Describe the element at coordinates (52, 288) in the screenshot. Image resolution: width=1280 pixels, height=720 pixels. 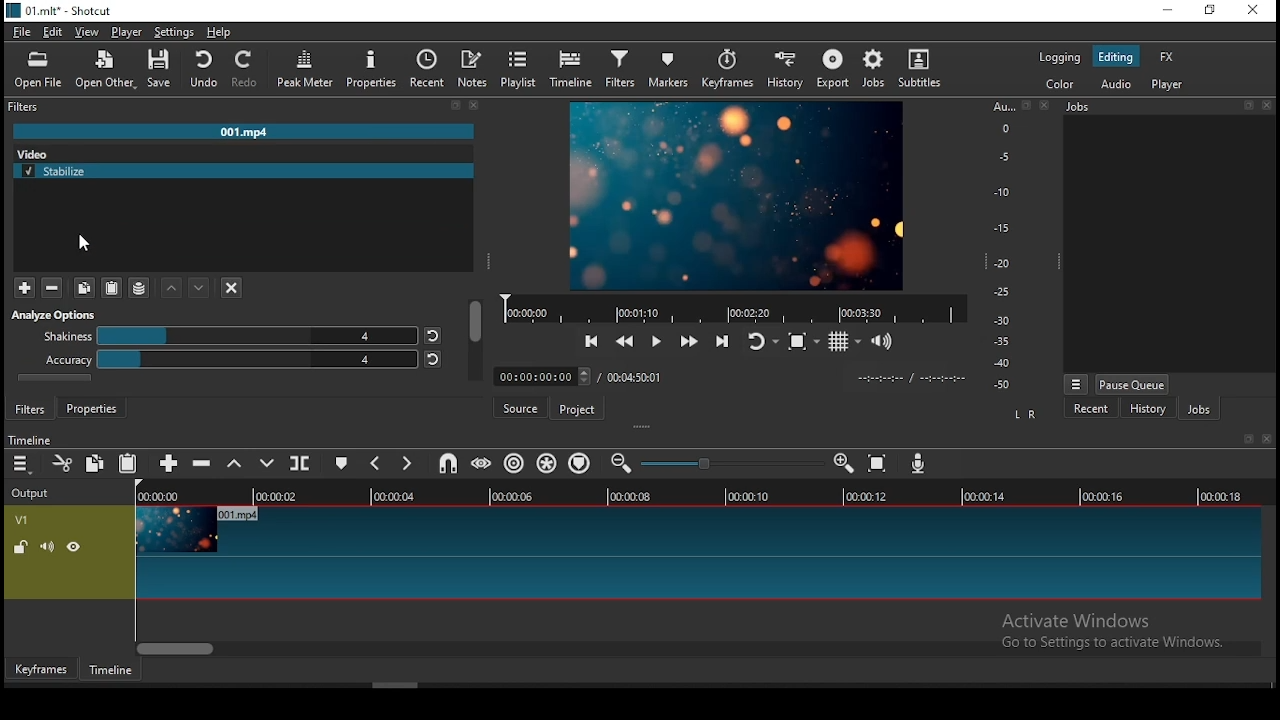
I see `zoomout` at that location.